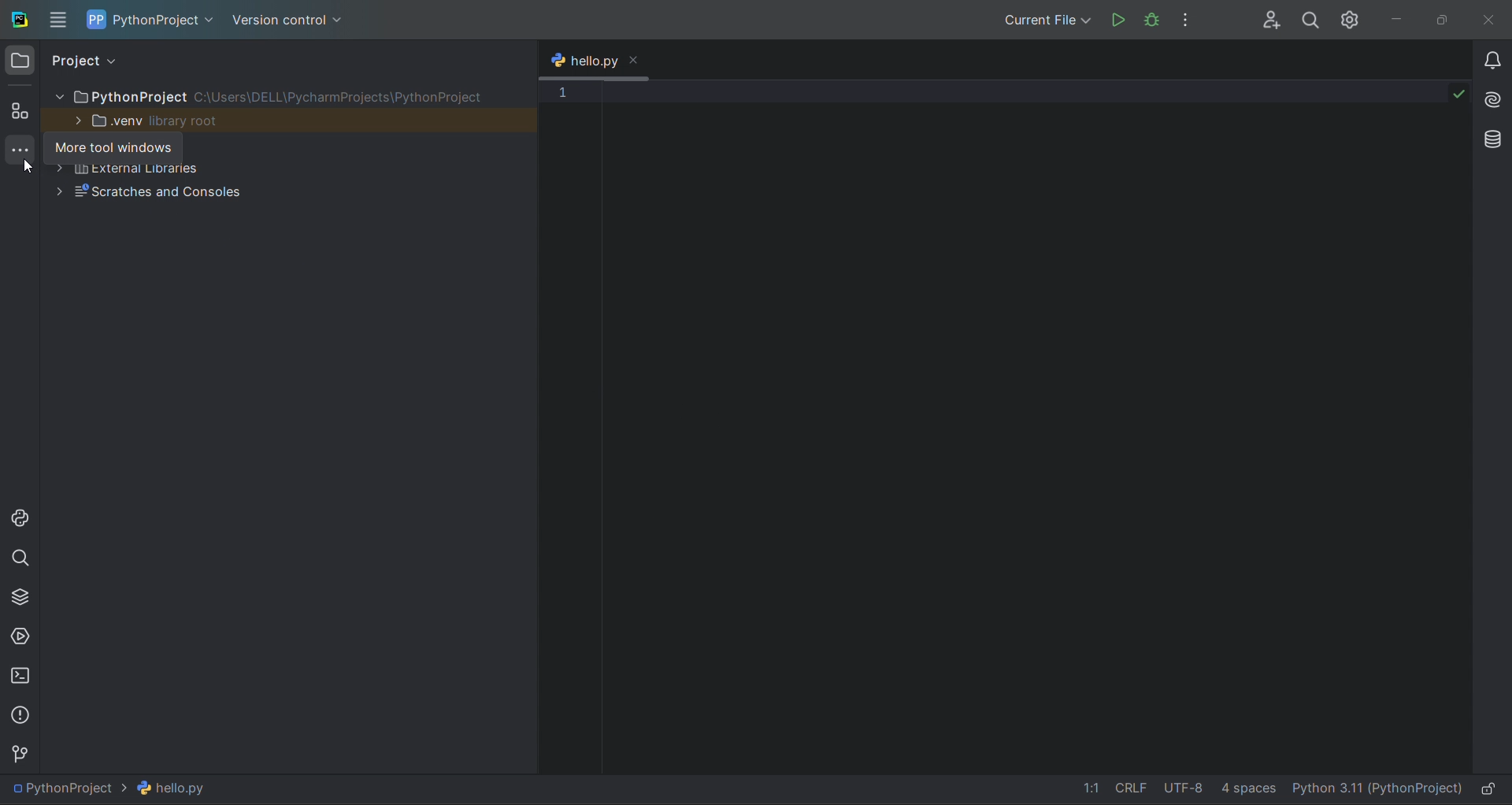 This screenshot has height=805, width=1512. Describe the element at coordinates (106, 121) in the screenshot. I see `.venv` at that location.